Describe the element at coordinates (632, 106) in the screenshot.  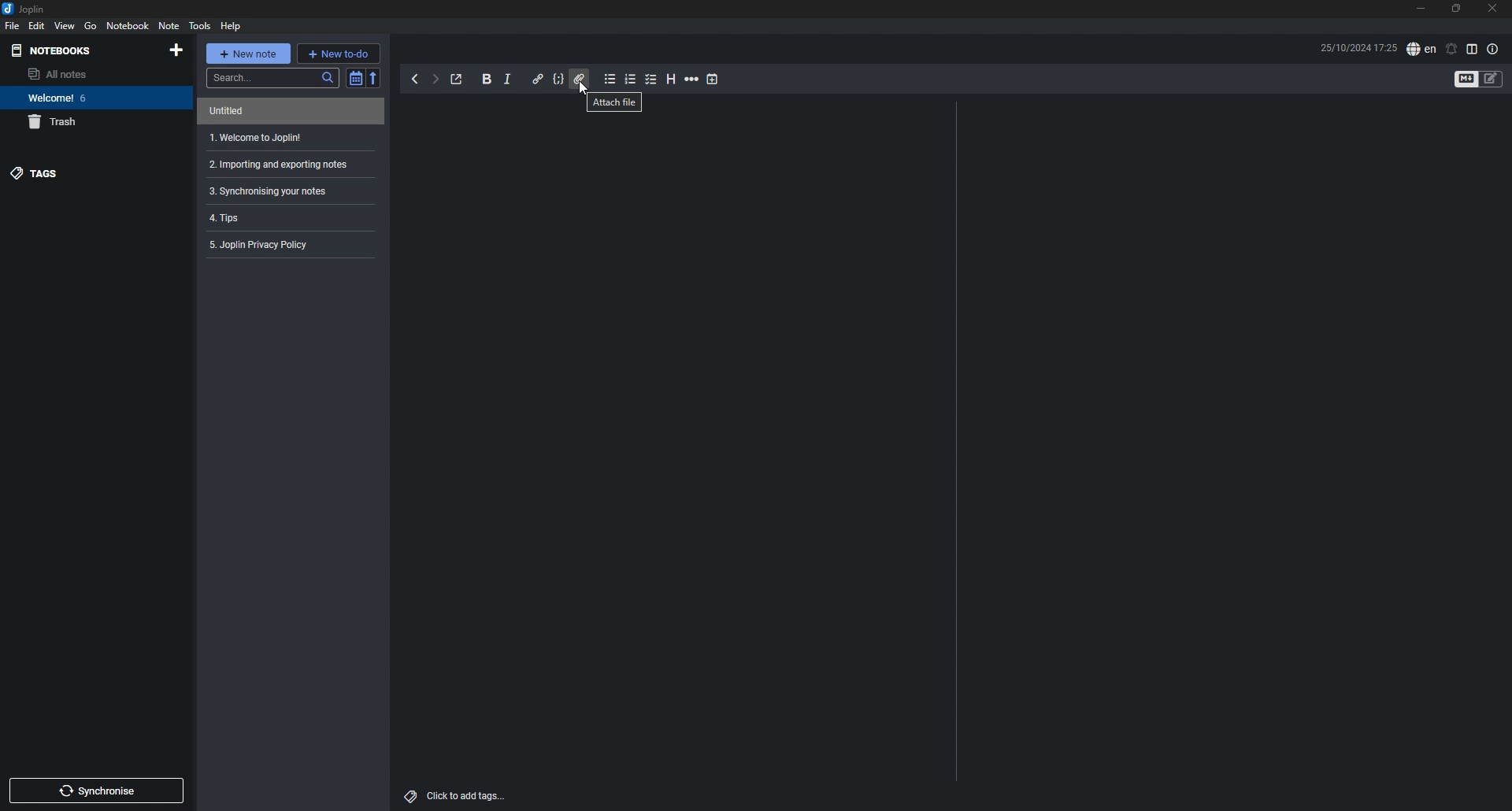
I see `Attach file` at that location.